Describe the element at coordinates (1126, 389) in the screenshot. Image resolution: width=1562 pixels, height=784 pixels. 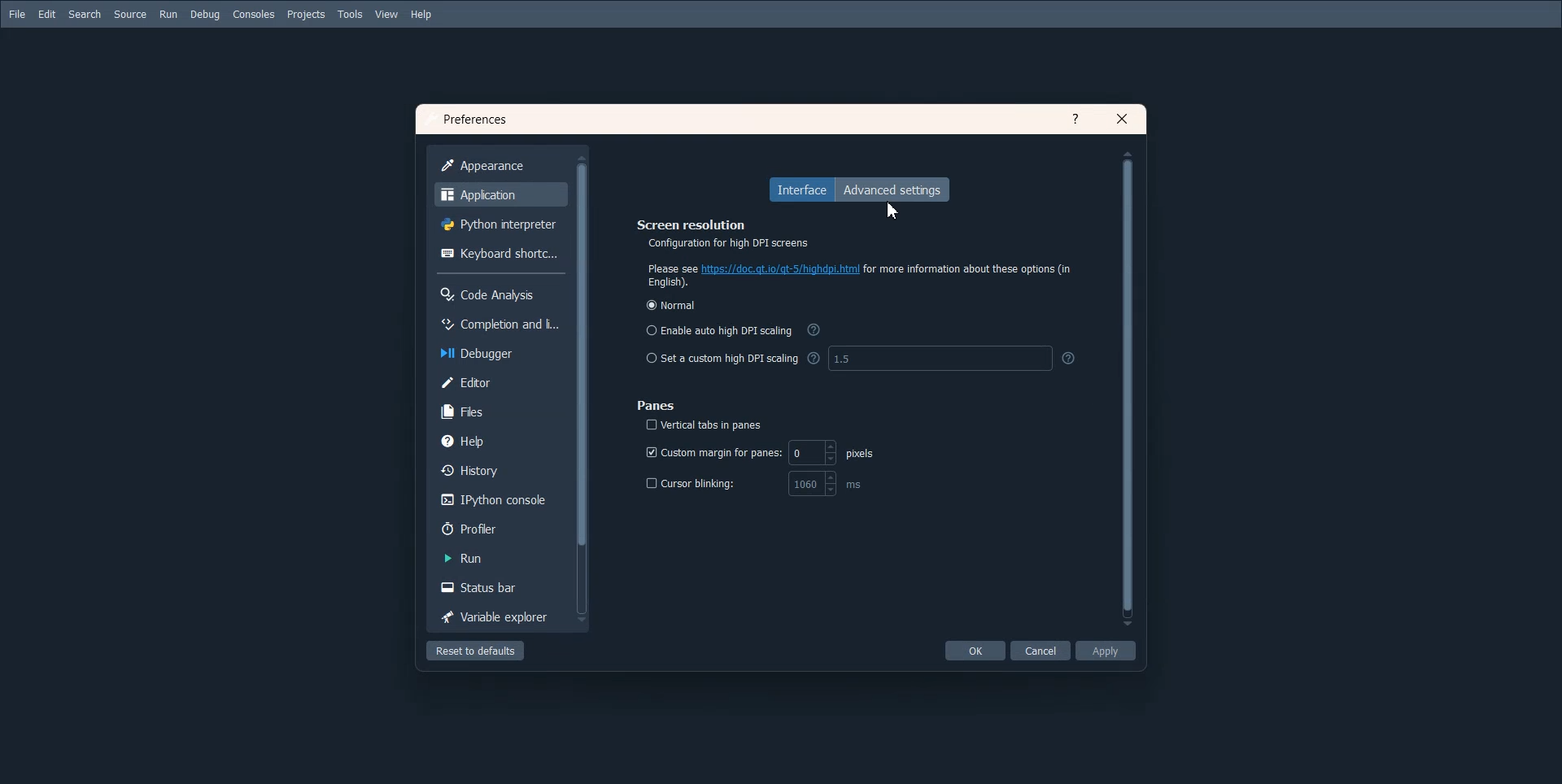
I see `Vertical scroll bar` at that location.